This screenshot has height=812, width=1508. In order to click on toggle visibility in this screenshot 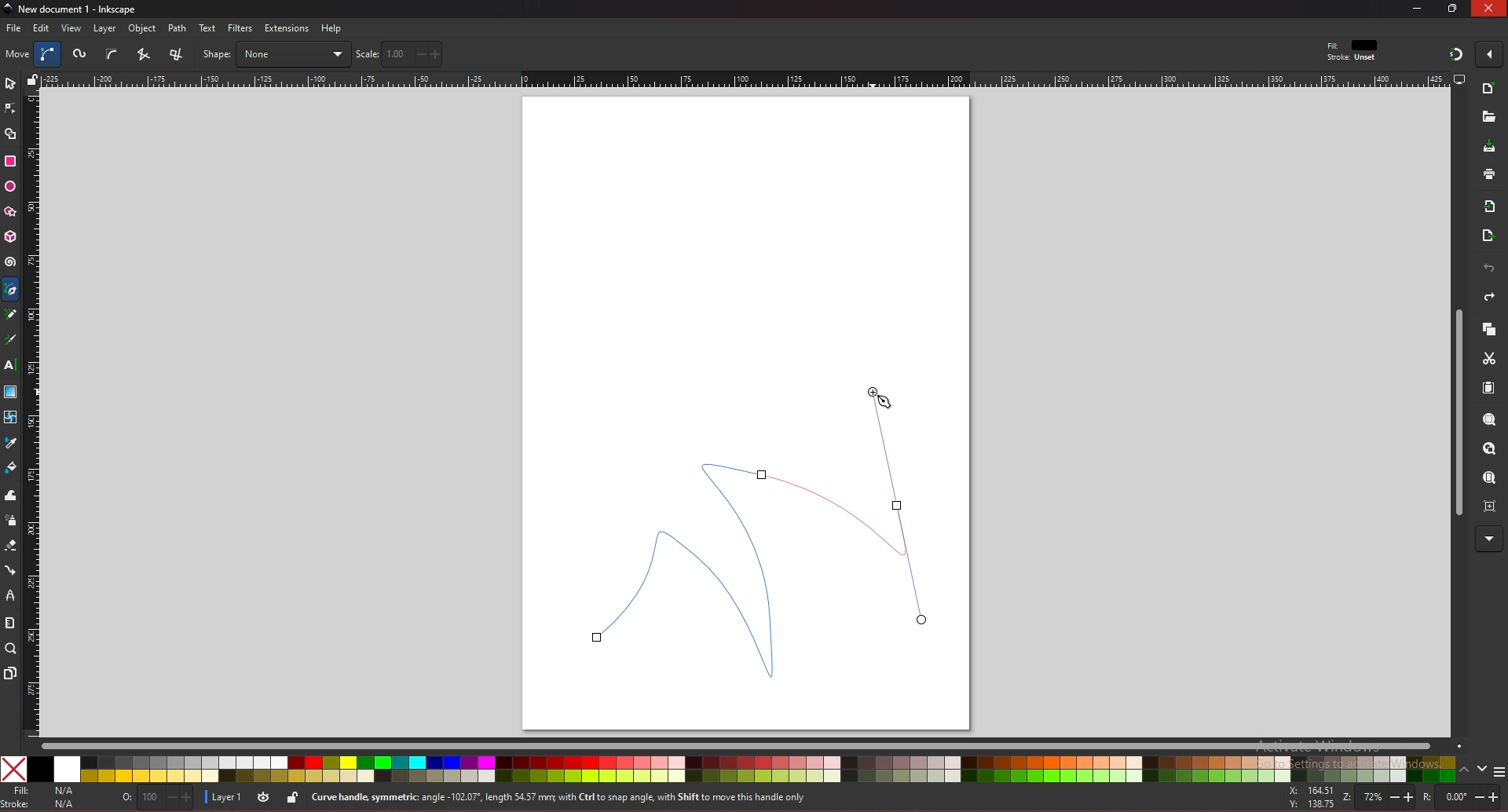, I will do `click(265, 797)`.